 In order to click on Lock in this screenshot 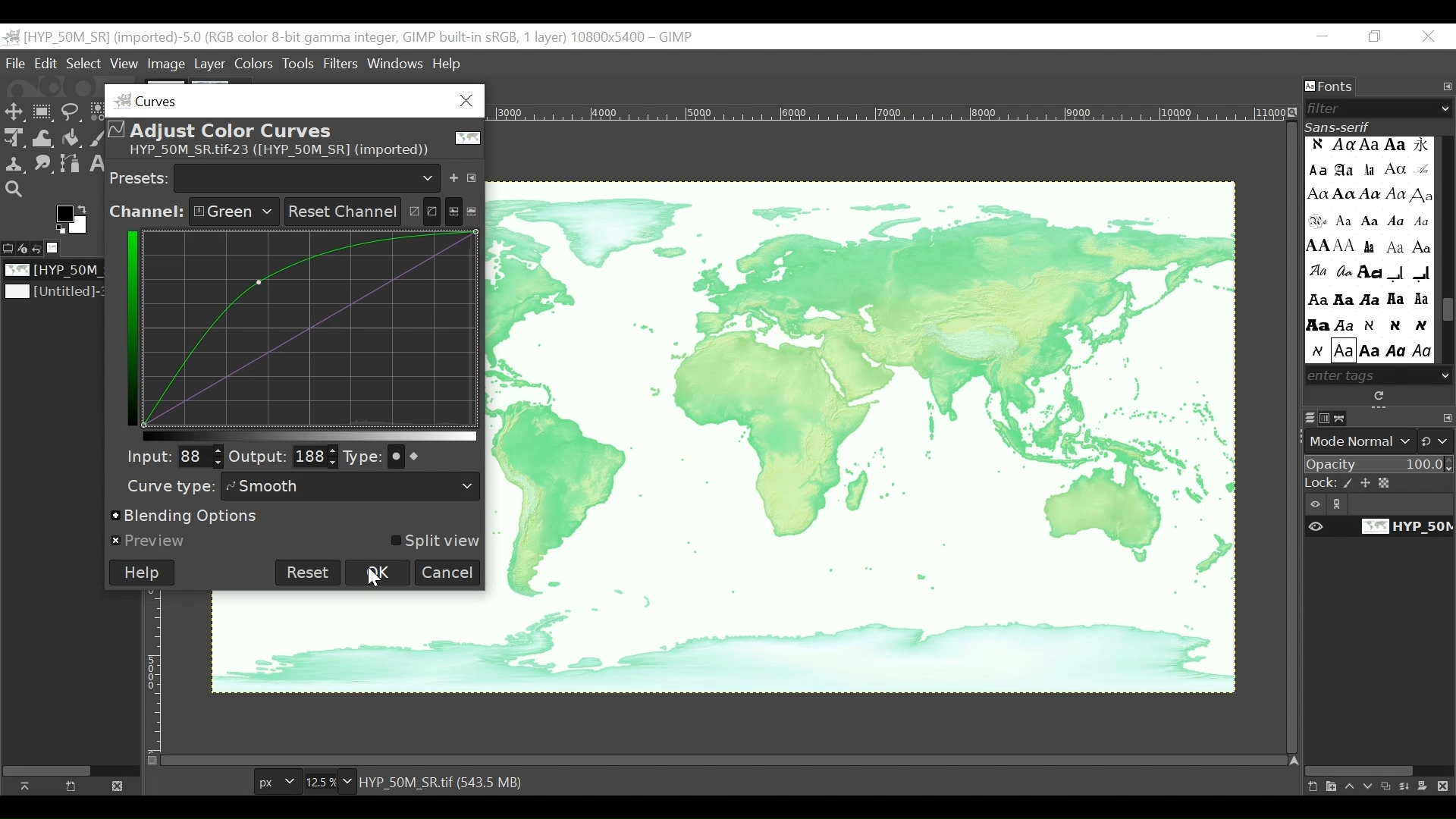, I will do `click(1380, 484)`.